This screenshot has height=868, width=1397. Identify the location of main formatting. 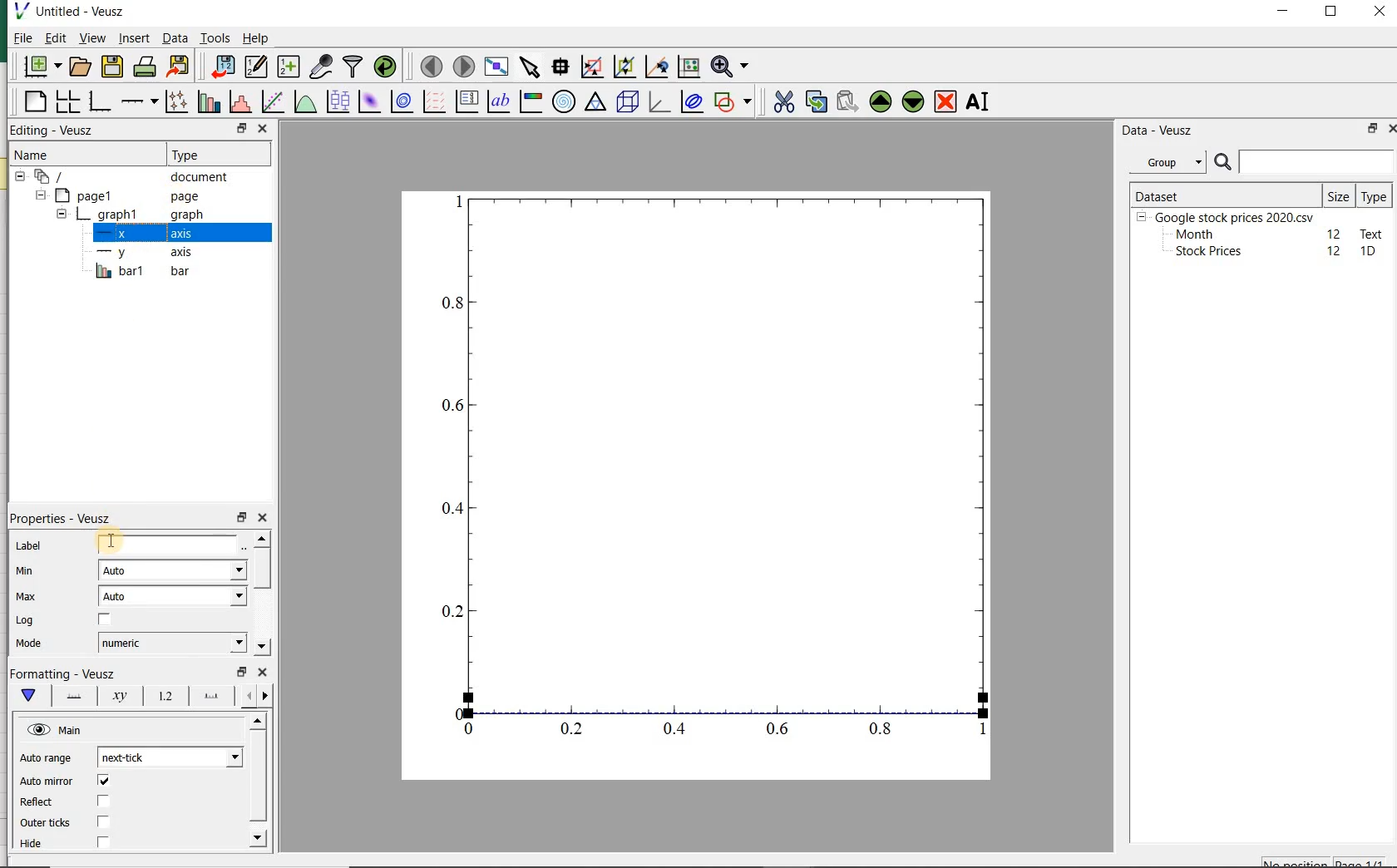
(25, 695).